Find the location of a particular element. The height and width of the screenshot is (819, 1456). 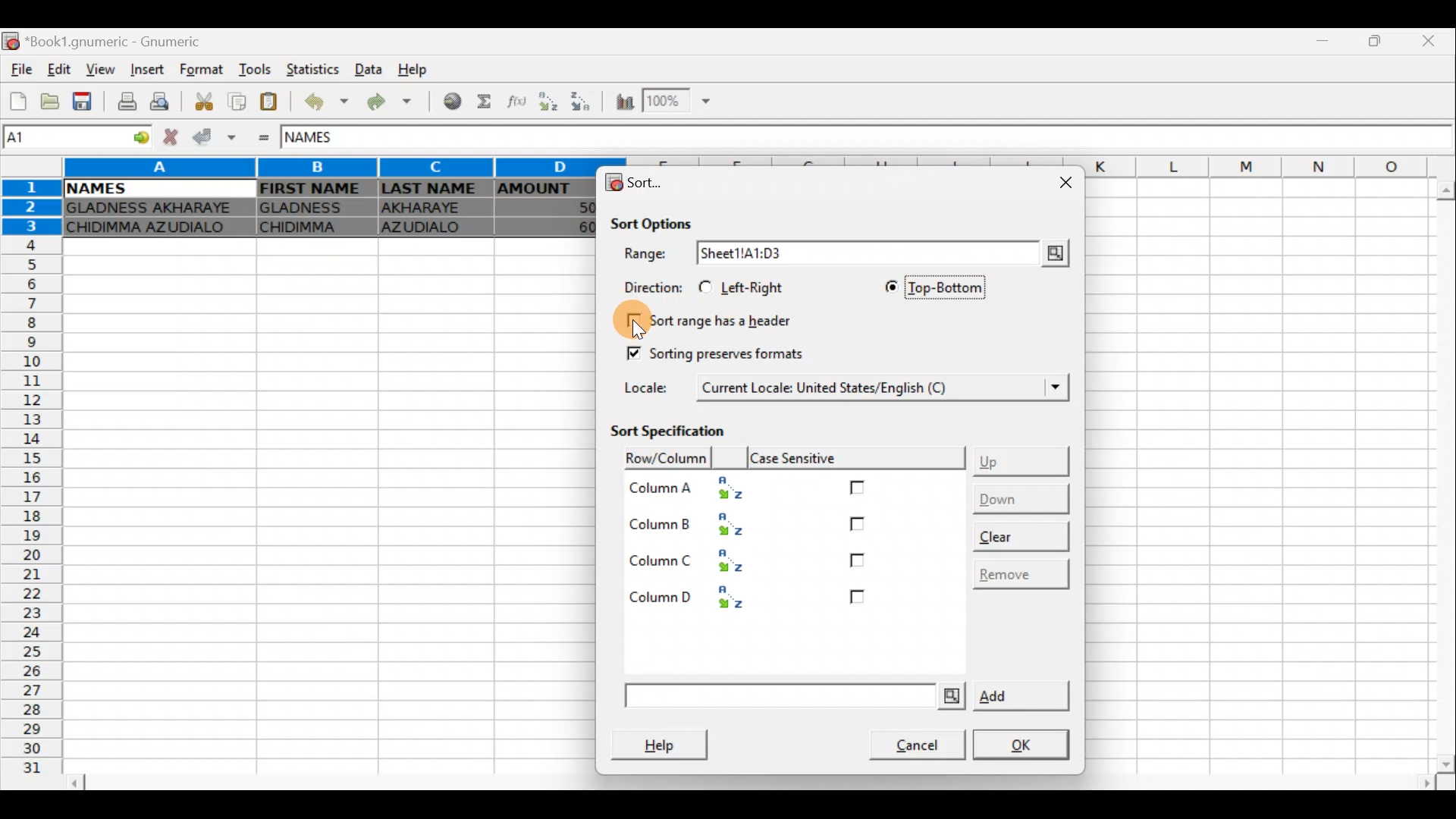

GLADNESS is located at coordinates (313, 206).